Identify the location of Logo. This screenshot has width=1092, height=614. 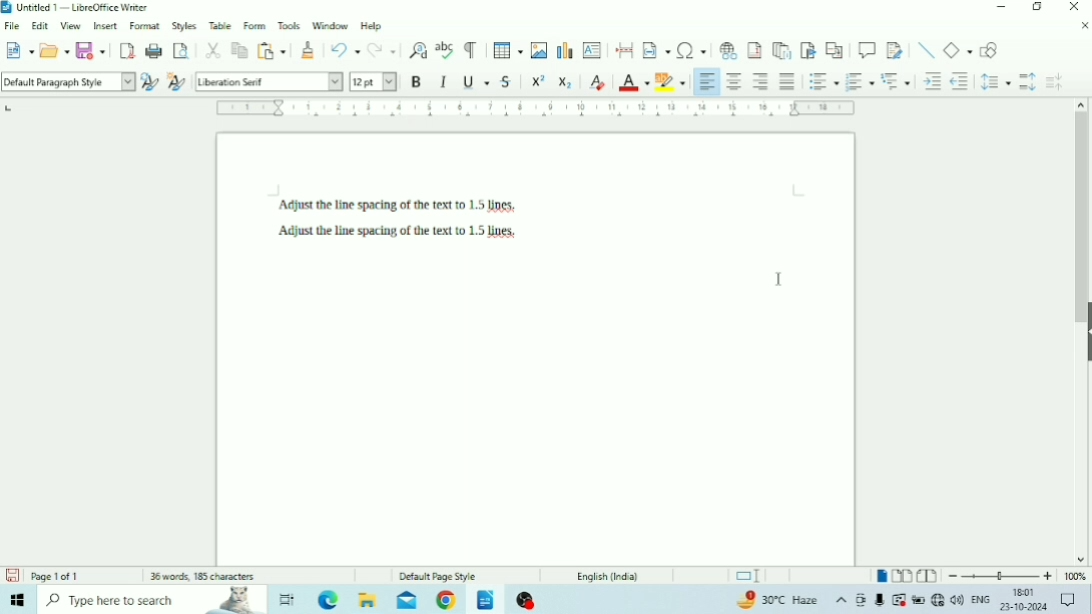
(7, 8).